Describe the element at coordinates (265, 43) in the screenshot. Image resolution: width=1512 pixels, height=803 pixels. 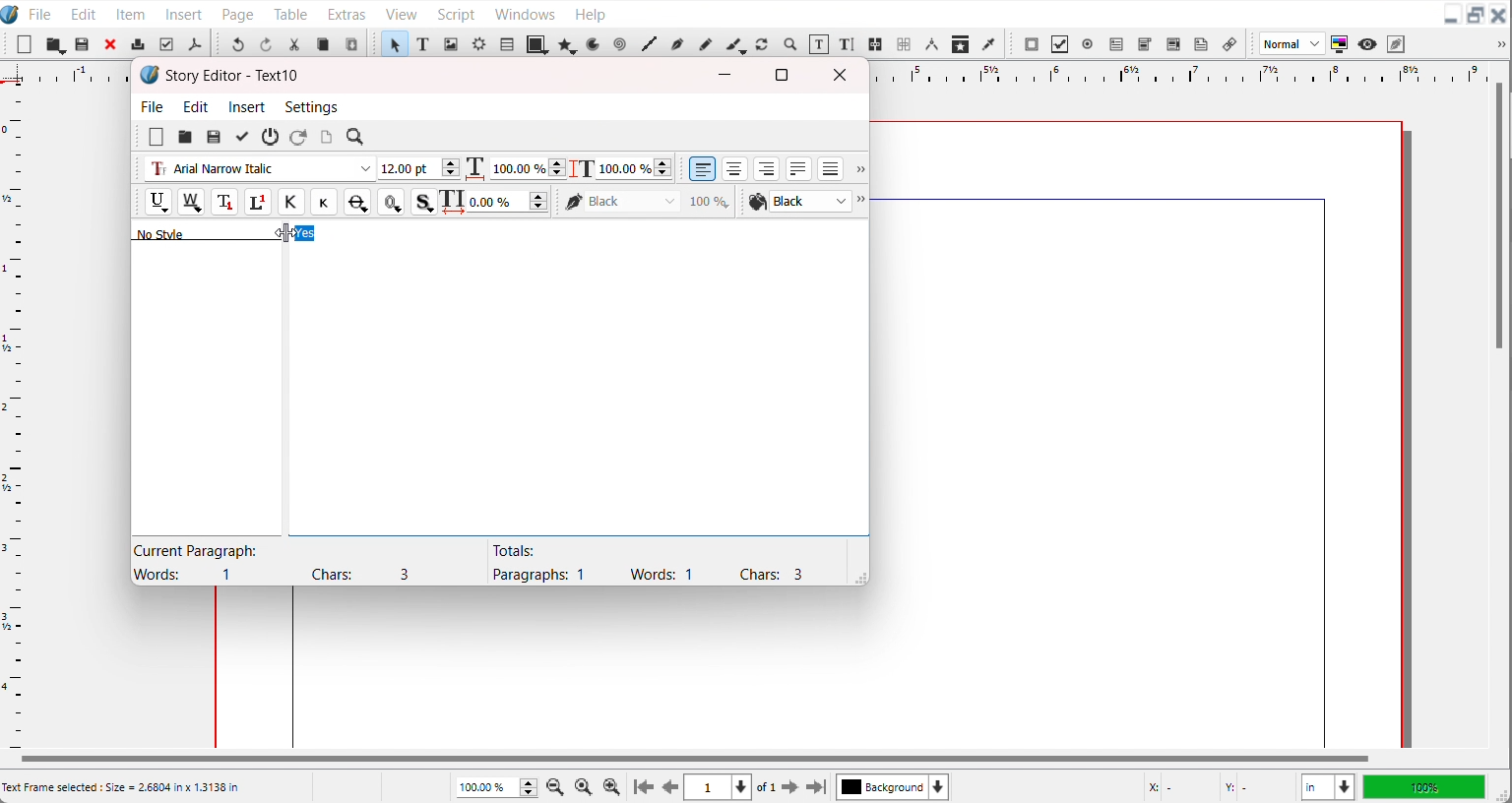
I see `Redo` at that location.